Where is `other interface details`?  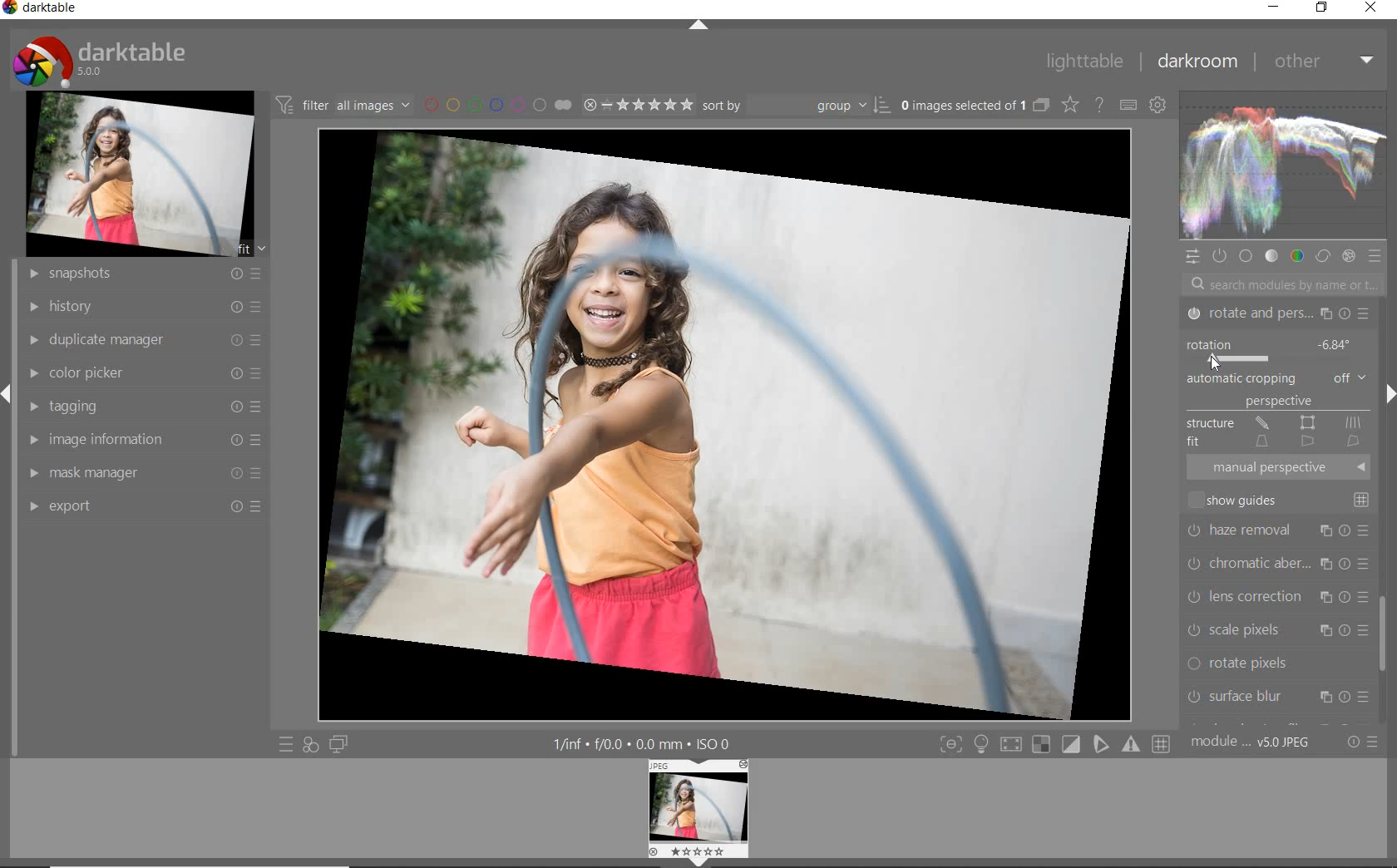
other interface details is located at coordinates (638, 744).